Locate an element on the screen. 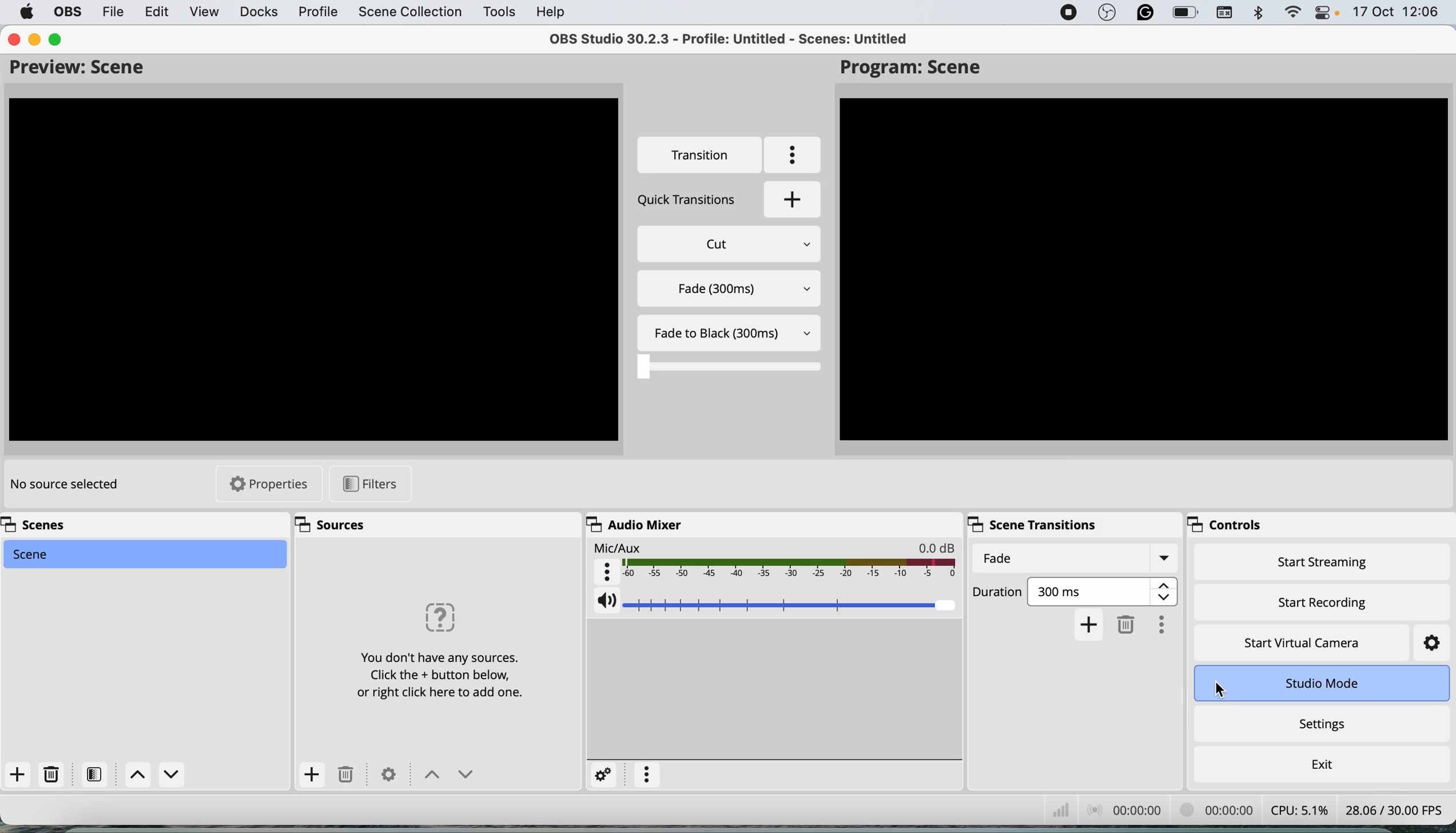 The height and width of the screenshot is (833, 1456). Preview Screen is located at coordinates (312, 271).